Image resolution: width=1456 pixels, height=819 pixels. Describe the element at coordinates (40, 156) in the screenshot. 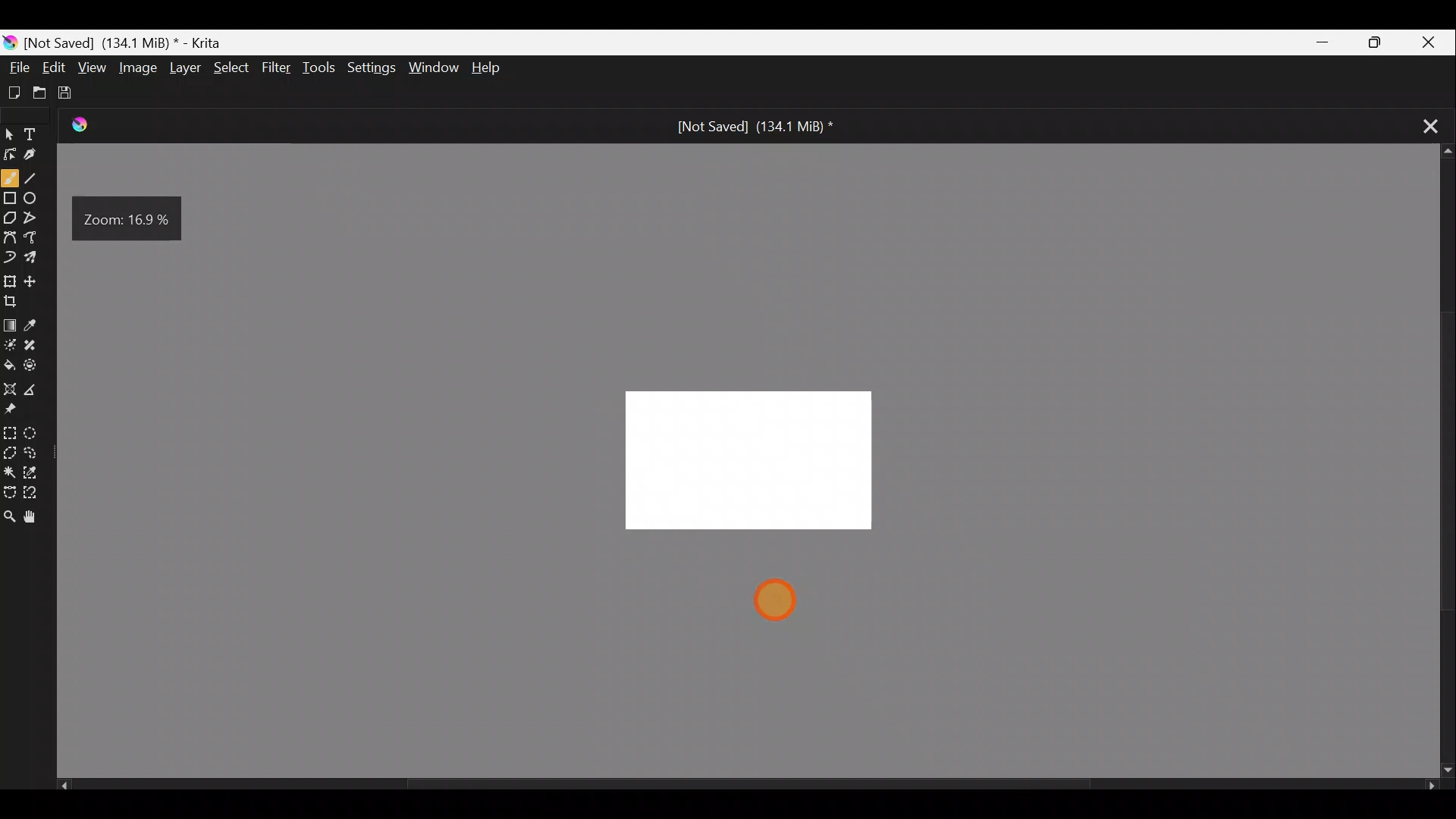

I see `Calligraphy` at that location.